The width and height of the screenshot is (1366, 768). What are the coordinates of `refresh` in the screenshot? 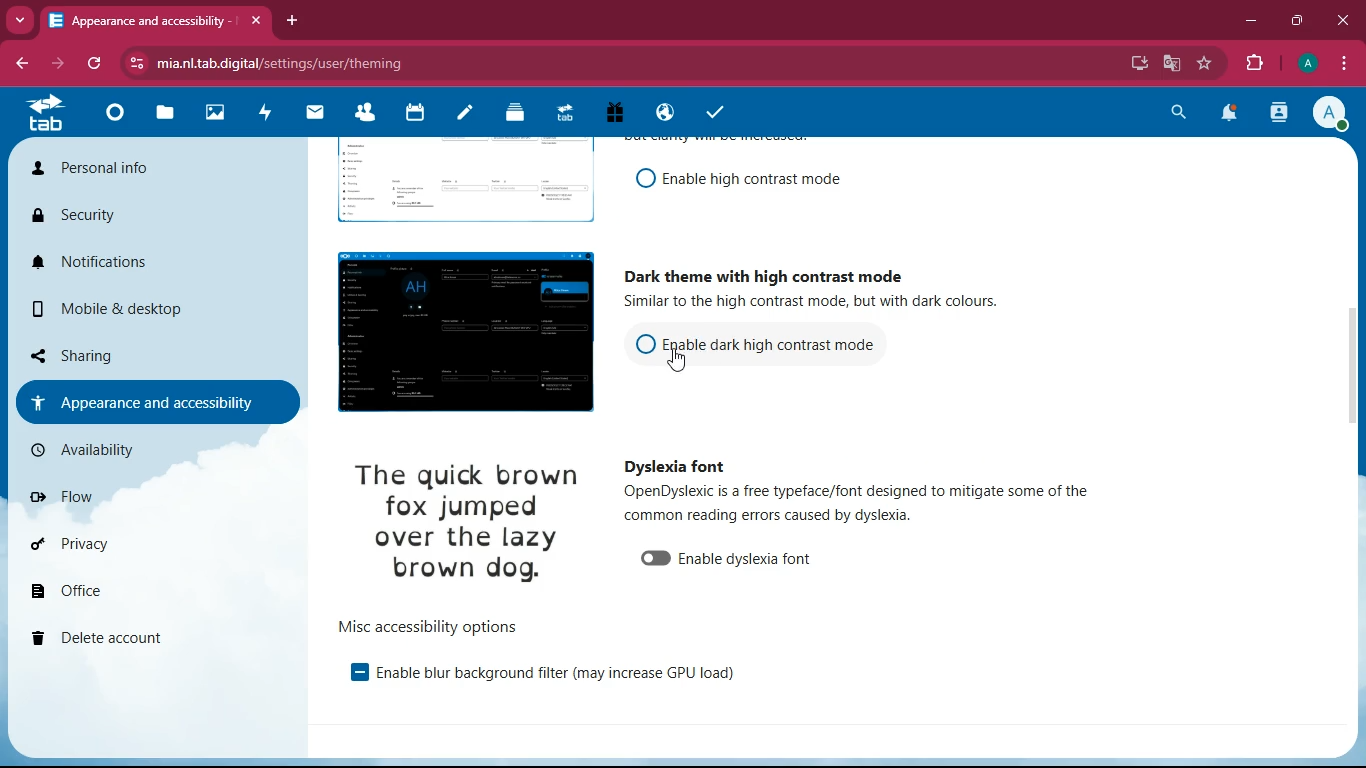 It's located at (91, 65).